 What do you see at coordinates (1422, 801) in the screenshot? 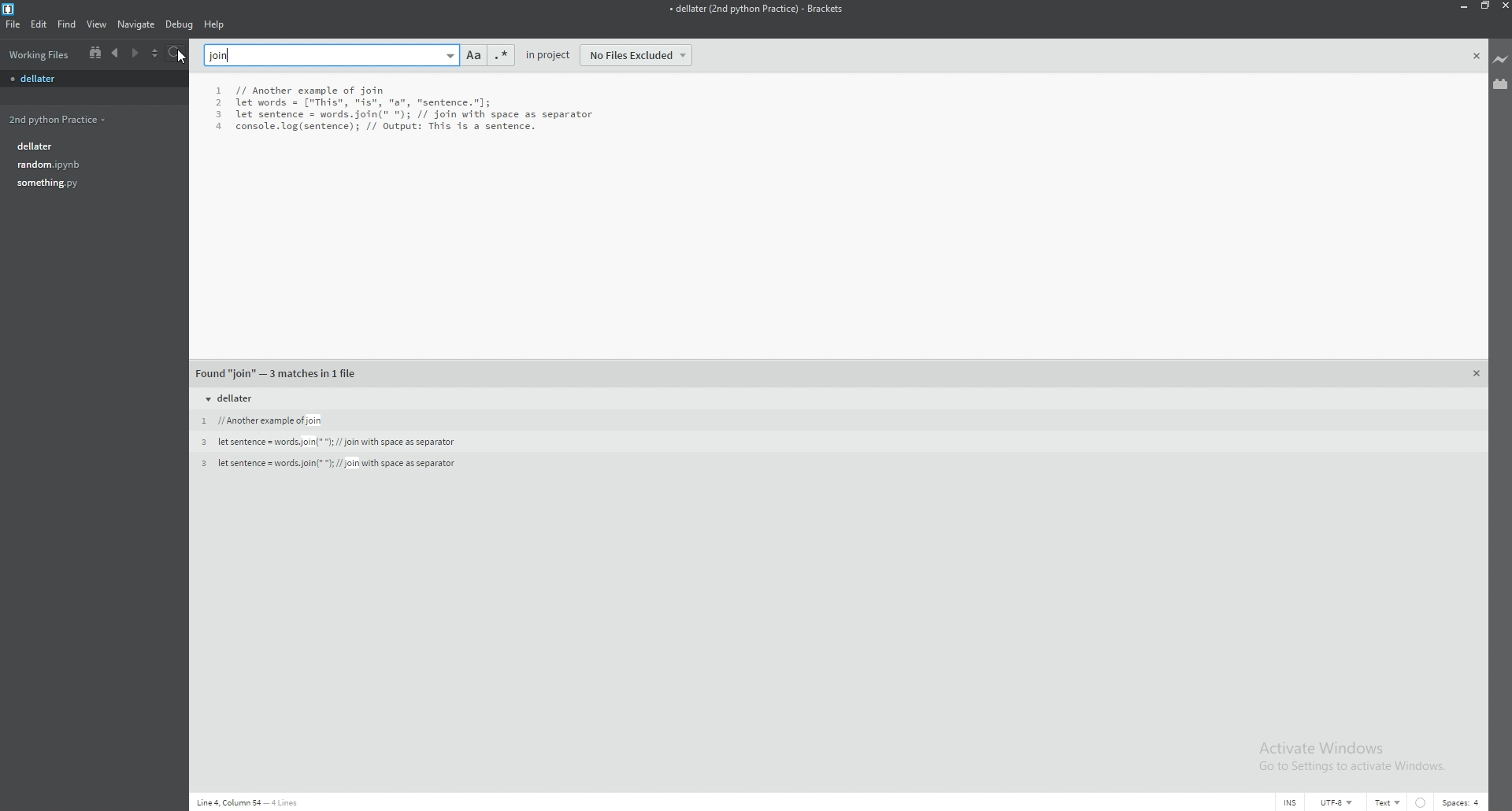
I see `linter` at bounding box center [1422, 801].